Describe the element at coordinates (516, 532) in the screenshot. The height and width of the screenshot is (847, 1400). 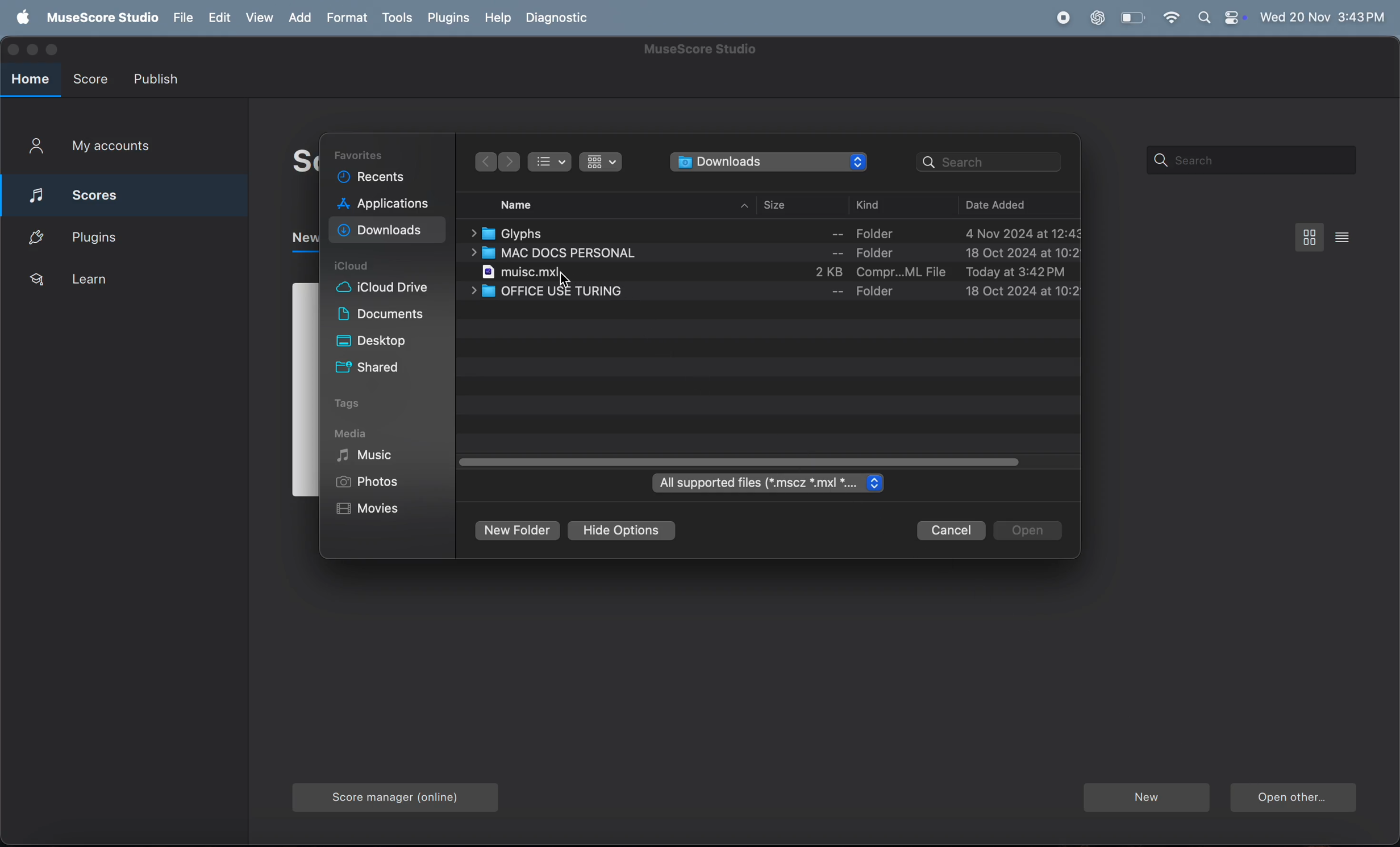
I see `new folder` at that location.